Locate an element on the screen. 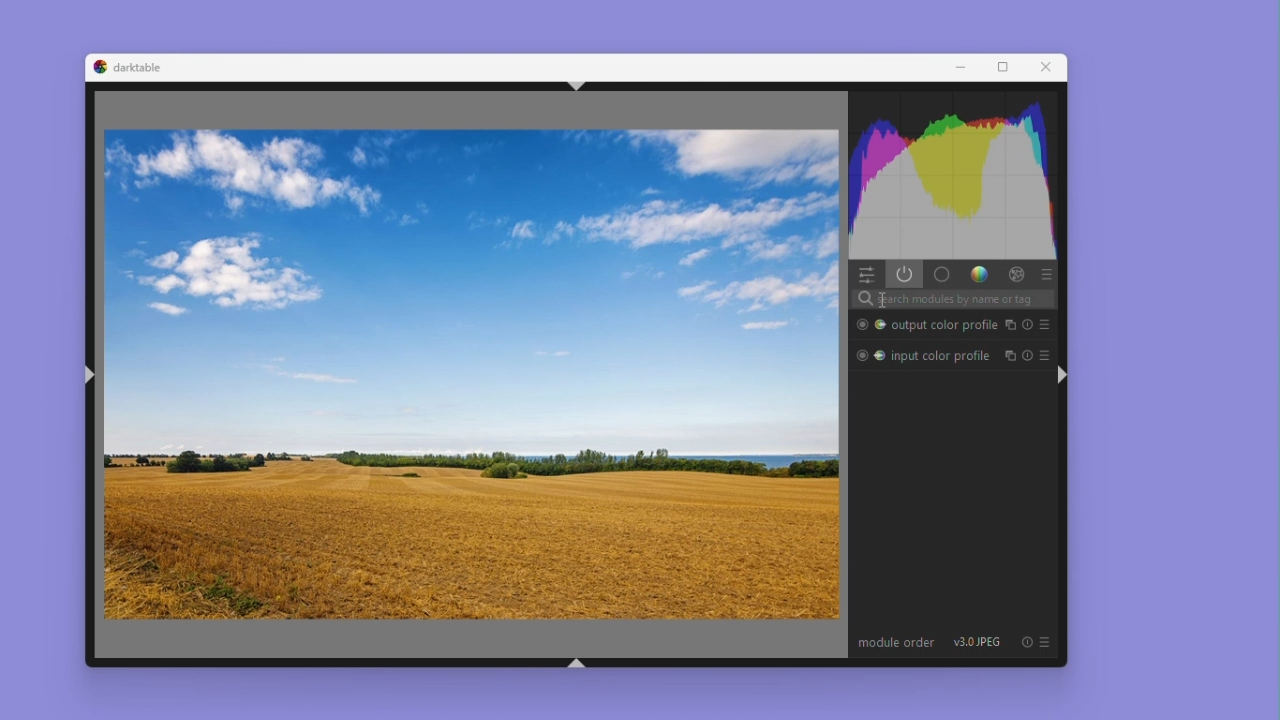 The image size is (1280, 720). shift+ctrl+b is located at coordinates (579, 661).